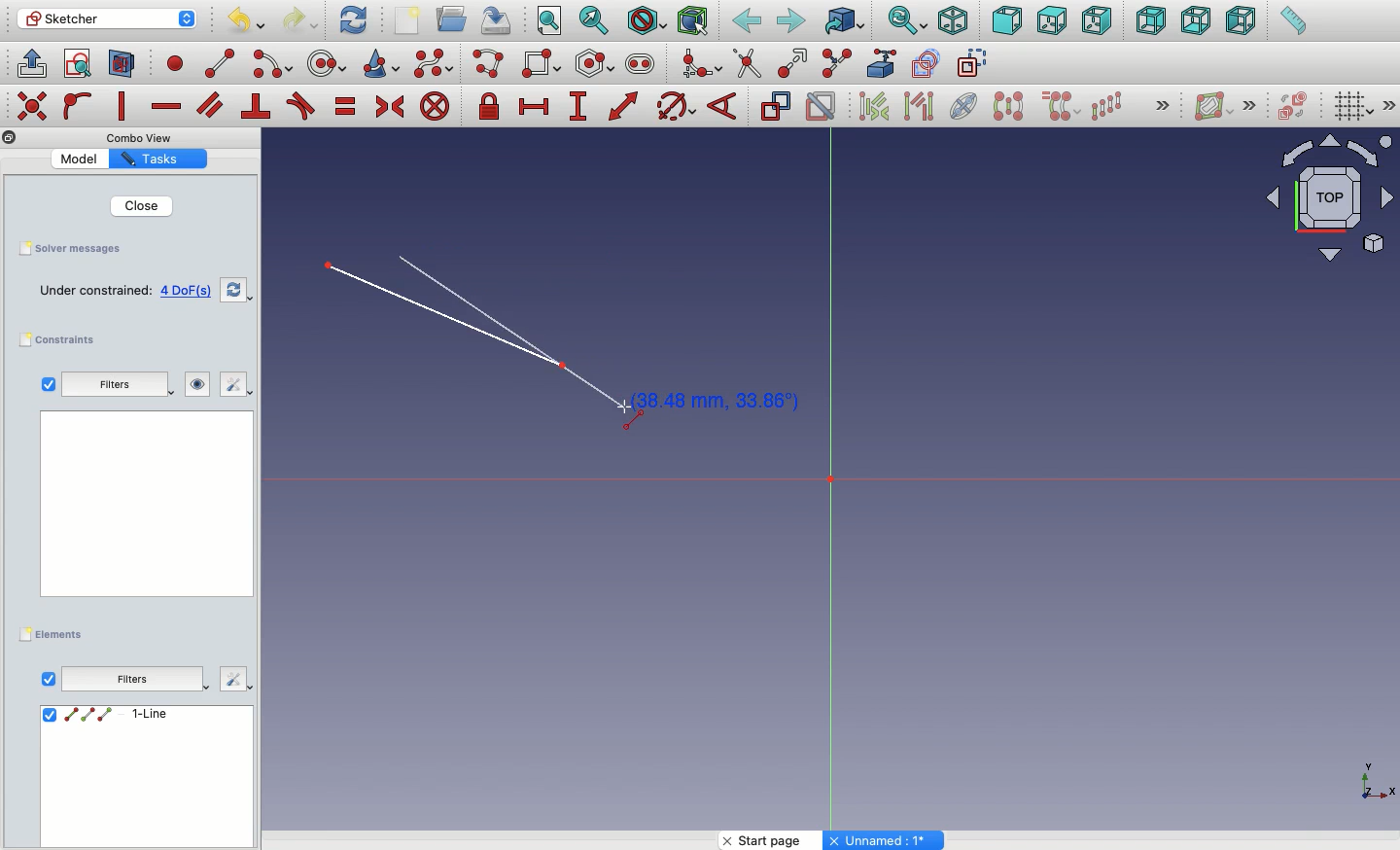 The width and height of the screenshot is (1400, 850). Describe the element at coordinates (454, 18) in the screenshot. I see `Open` at that location.